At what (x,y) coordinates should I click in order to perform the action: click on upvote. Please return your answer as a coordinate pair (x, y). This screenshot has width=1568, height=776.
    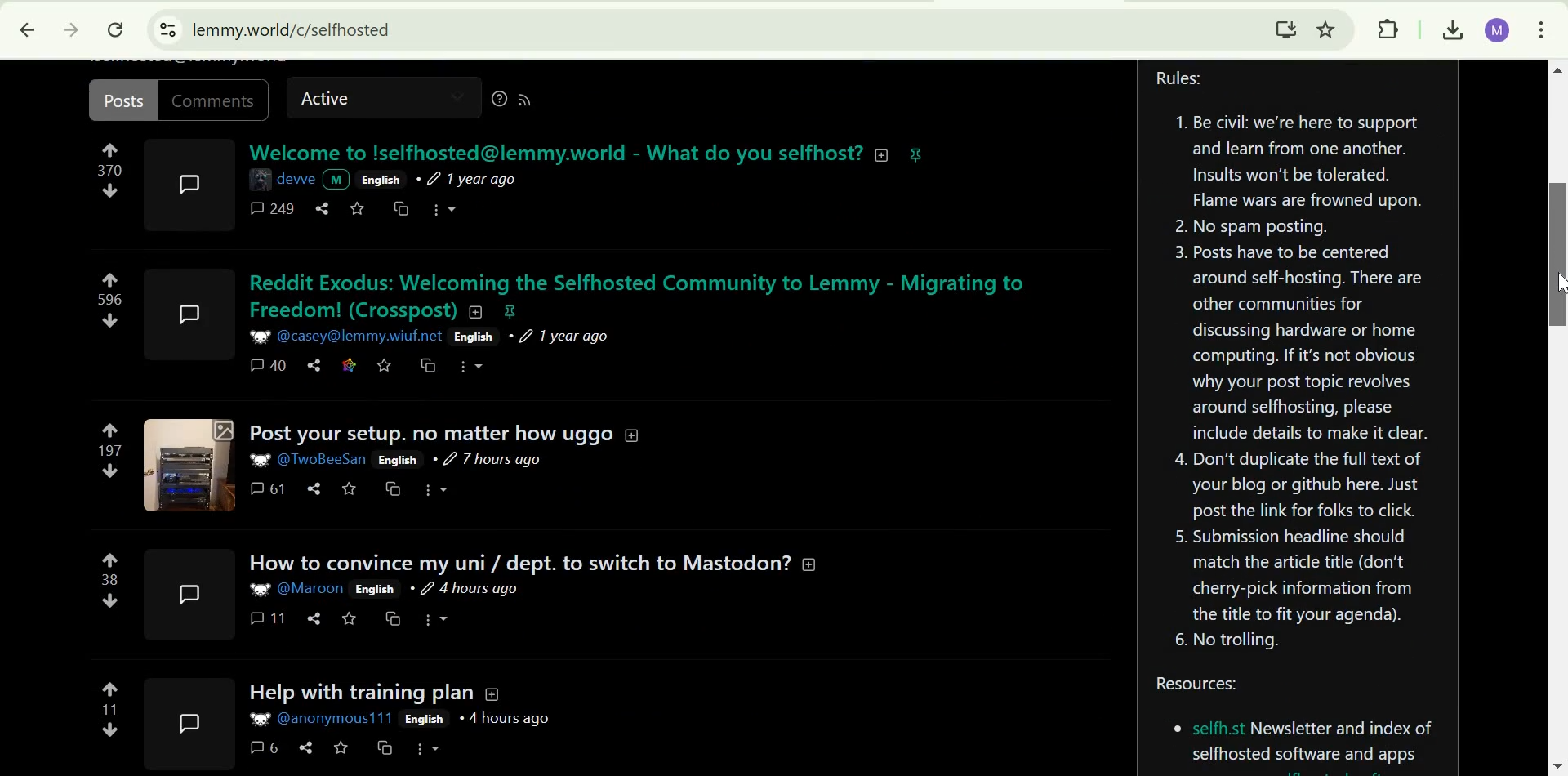
    Looking at the image, I should click on (112, 430).